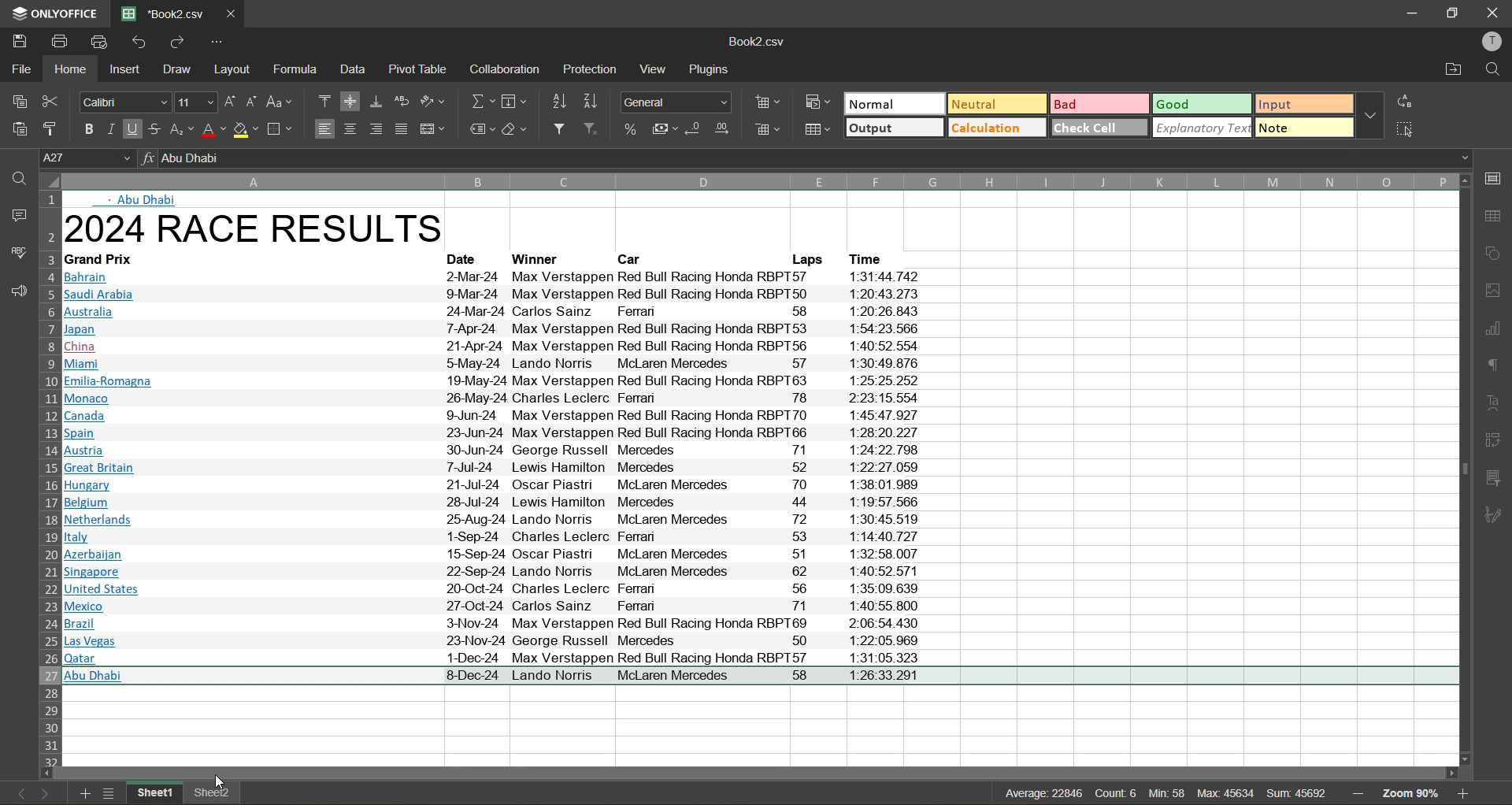  What do you see at coordinates (161, 13) in the screenshot?
I see `filename` at bounding box center [161, 13].